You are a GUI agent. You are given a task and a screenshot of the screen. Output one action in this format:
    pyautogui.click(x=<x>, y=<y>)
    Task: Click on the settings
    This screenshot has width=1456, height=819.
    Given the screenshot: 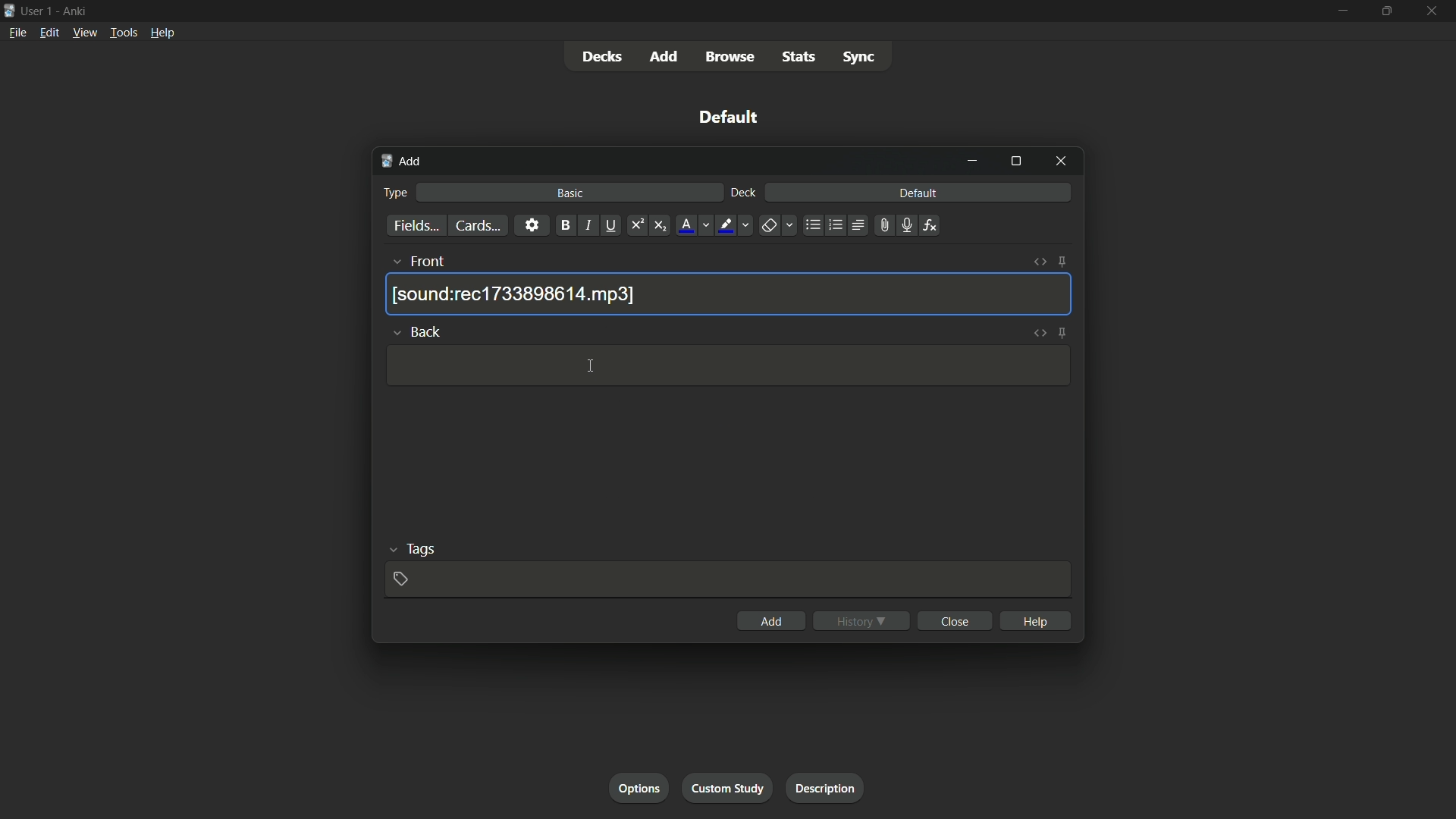 What is the action you would take?
    pyautogui.click(x=531, y=225)
    